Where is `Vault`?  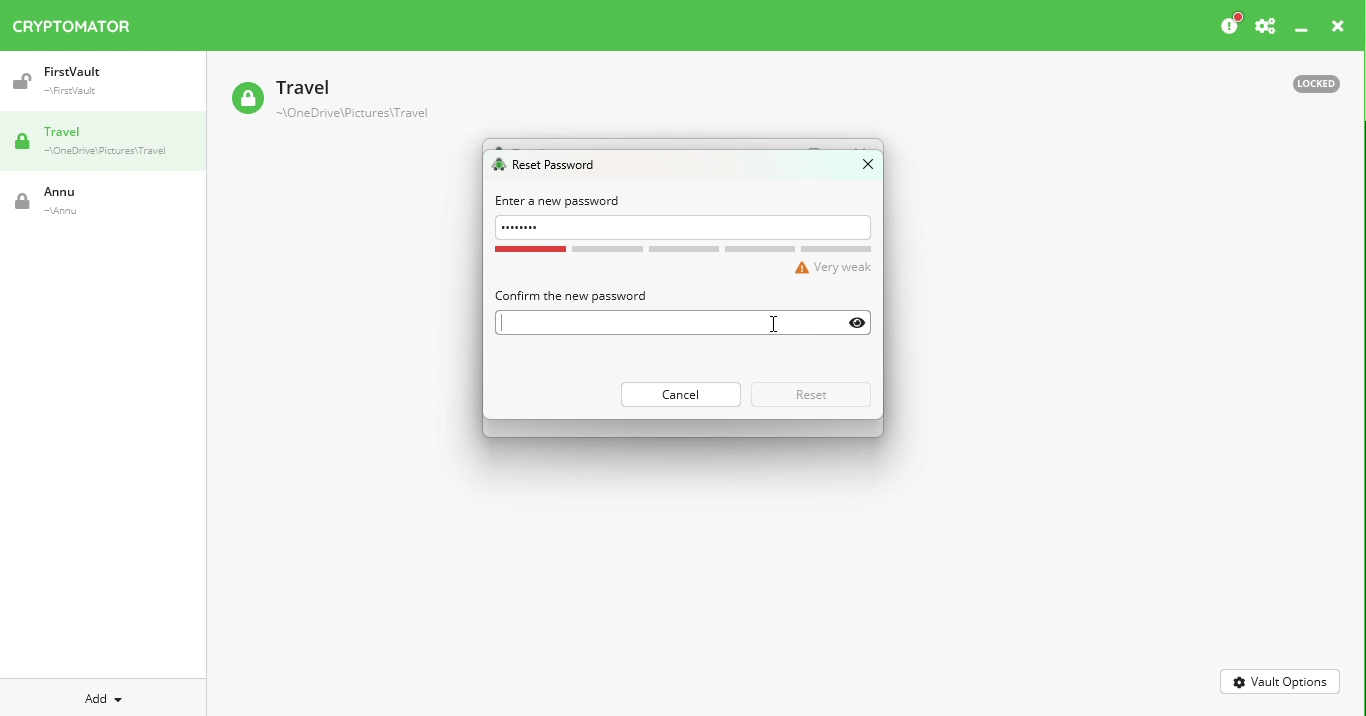 Vault is located at coordinates (329, 101).